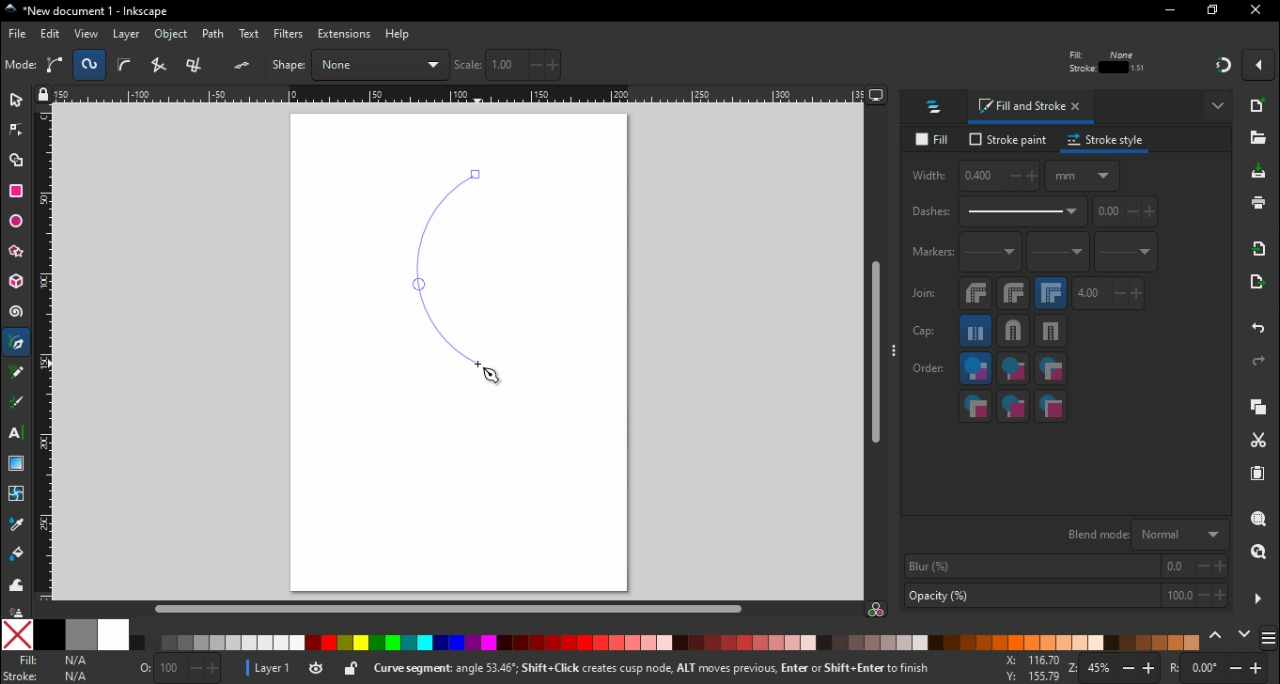 The image size is (1280, 684). What do you see at coordinates (1218, 108) in the screenshot?
I see `show` at bounding box center [1218, 108].